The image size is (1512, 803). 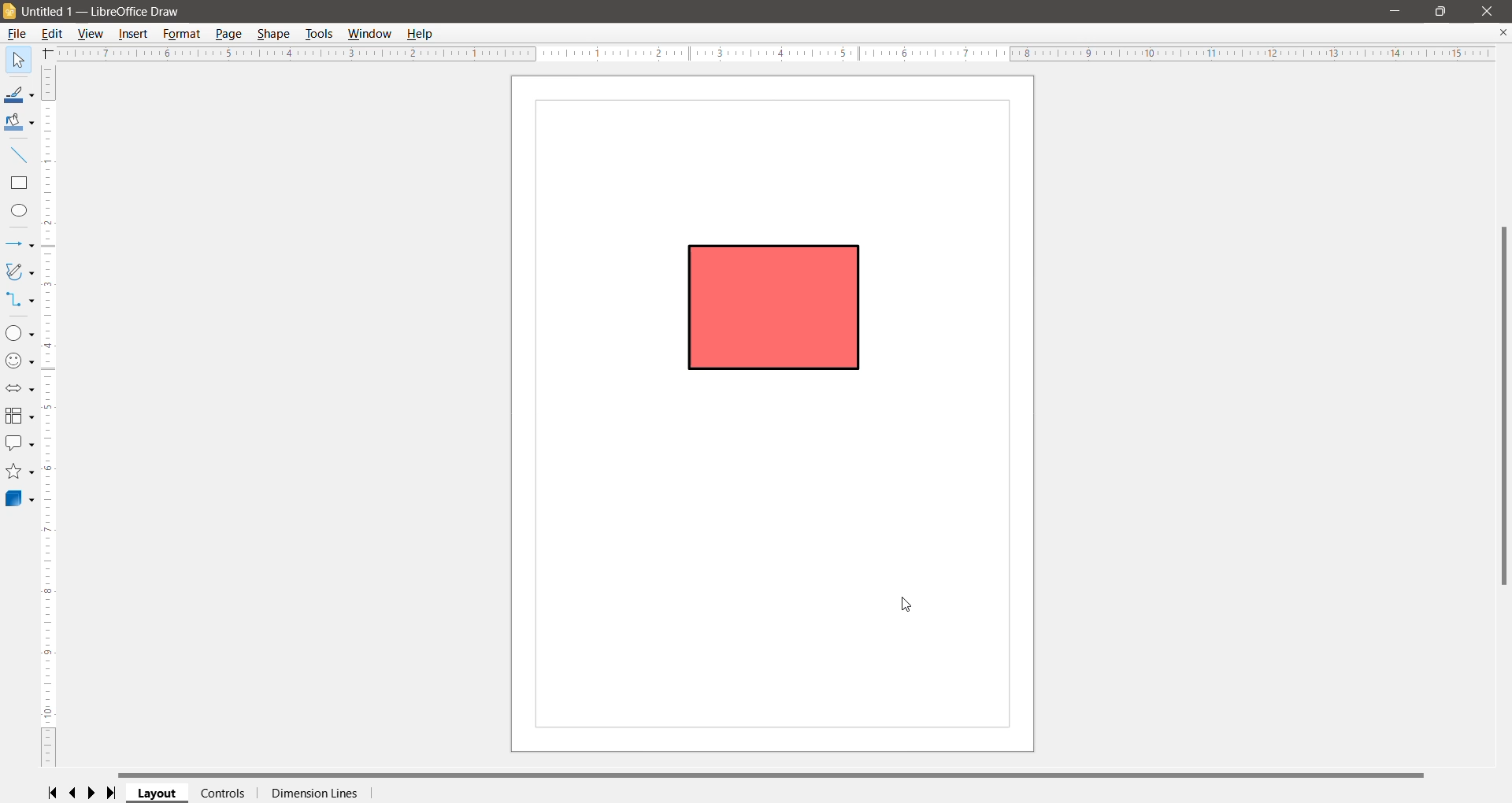 I want to click on Scroll to previous page, so click(x=74, y=794).